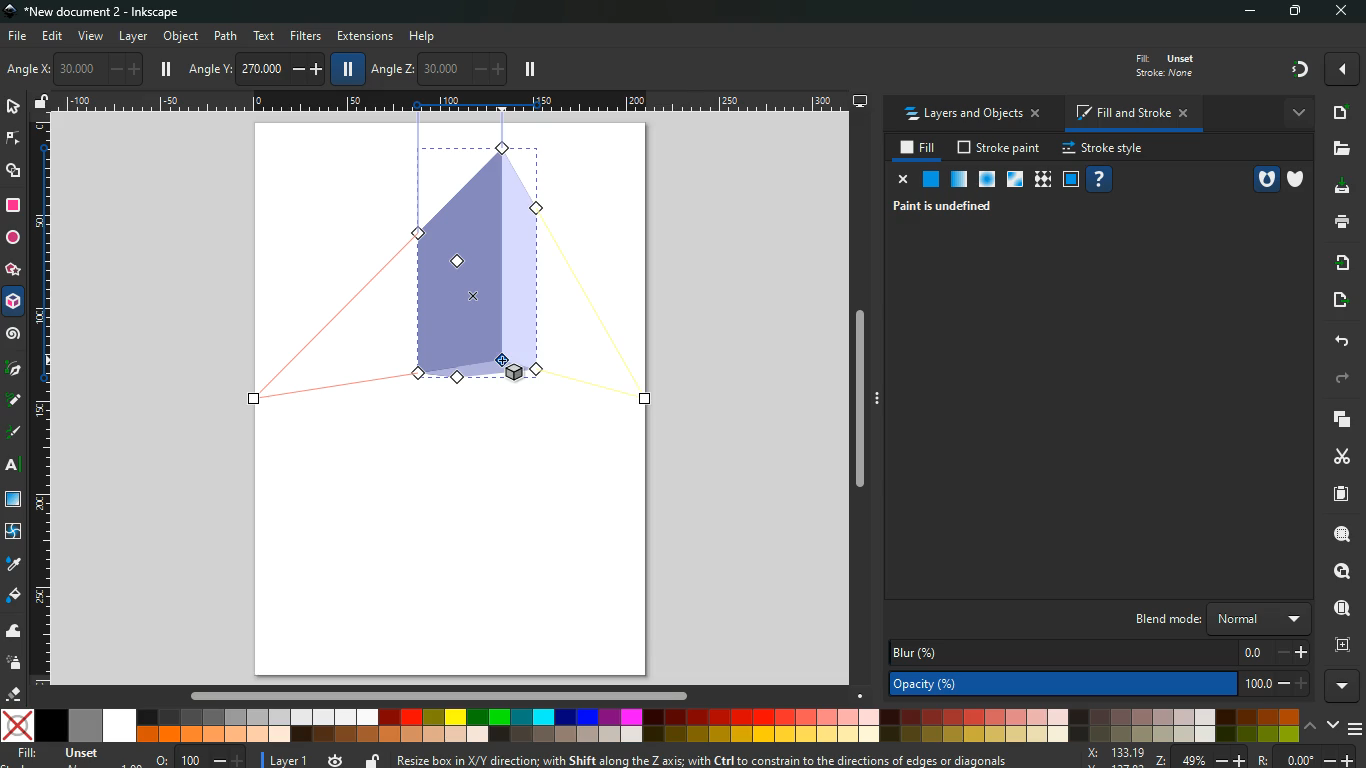  What do you see at coordinates (900, 180) in the screenshot?
I see `cancel` at bounding box center [900, 180].